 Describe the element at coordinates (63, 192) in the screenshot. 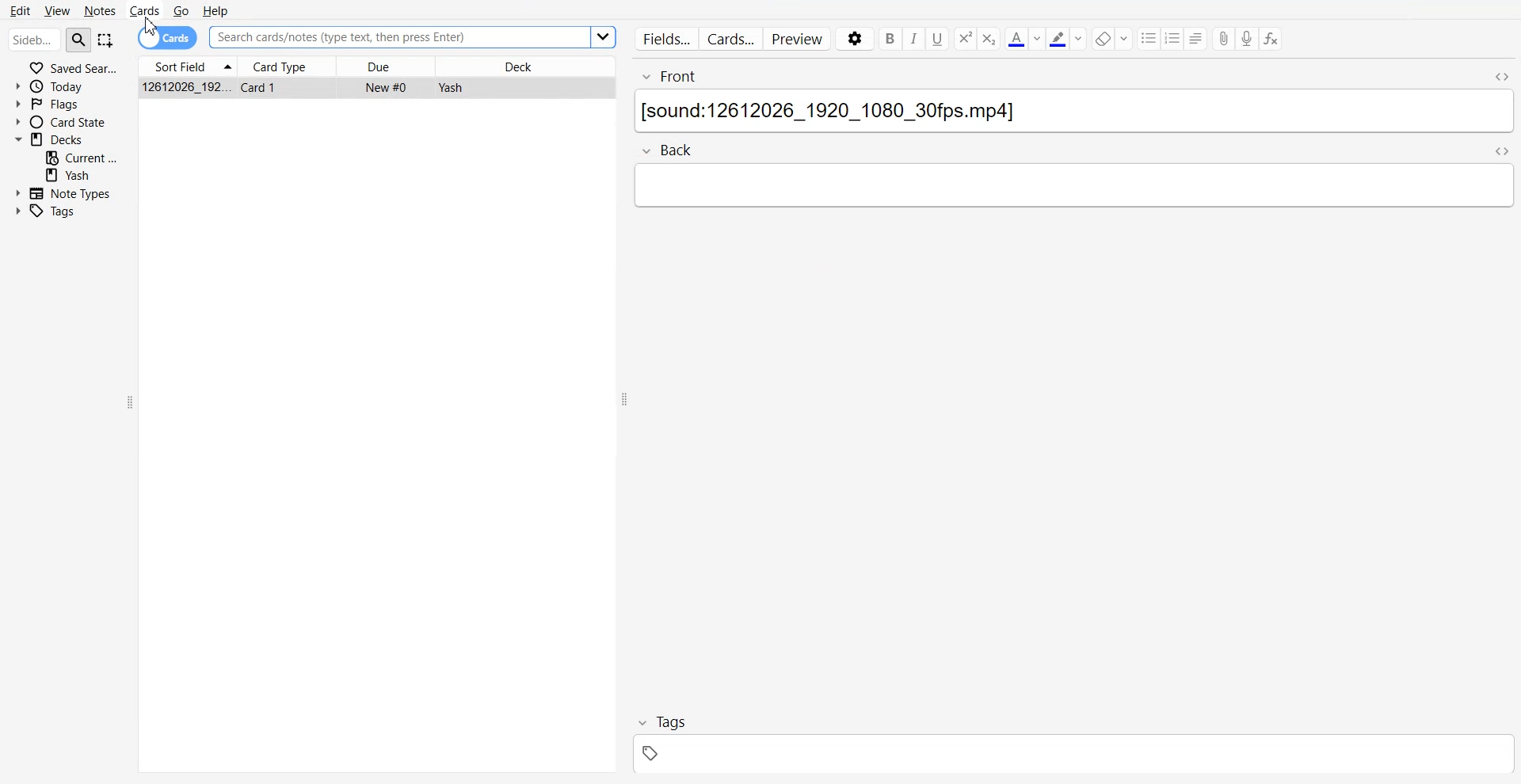

I see `Note Types` at that location.